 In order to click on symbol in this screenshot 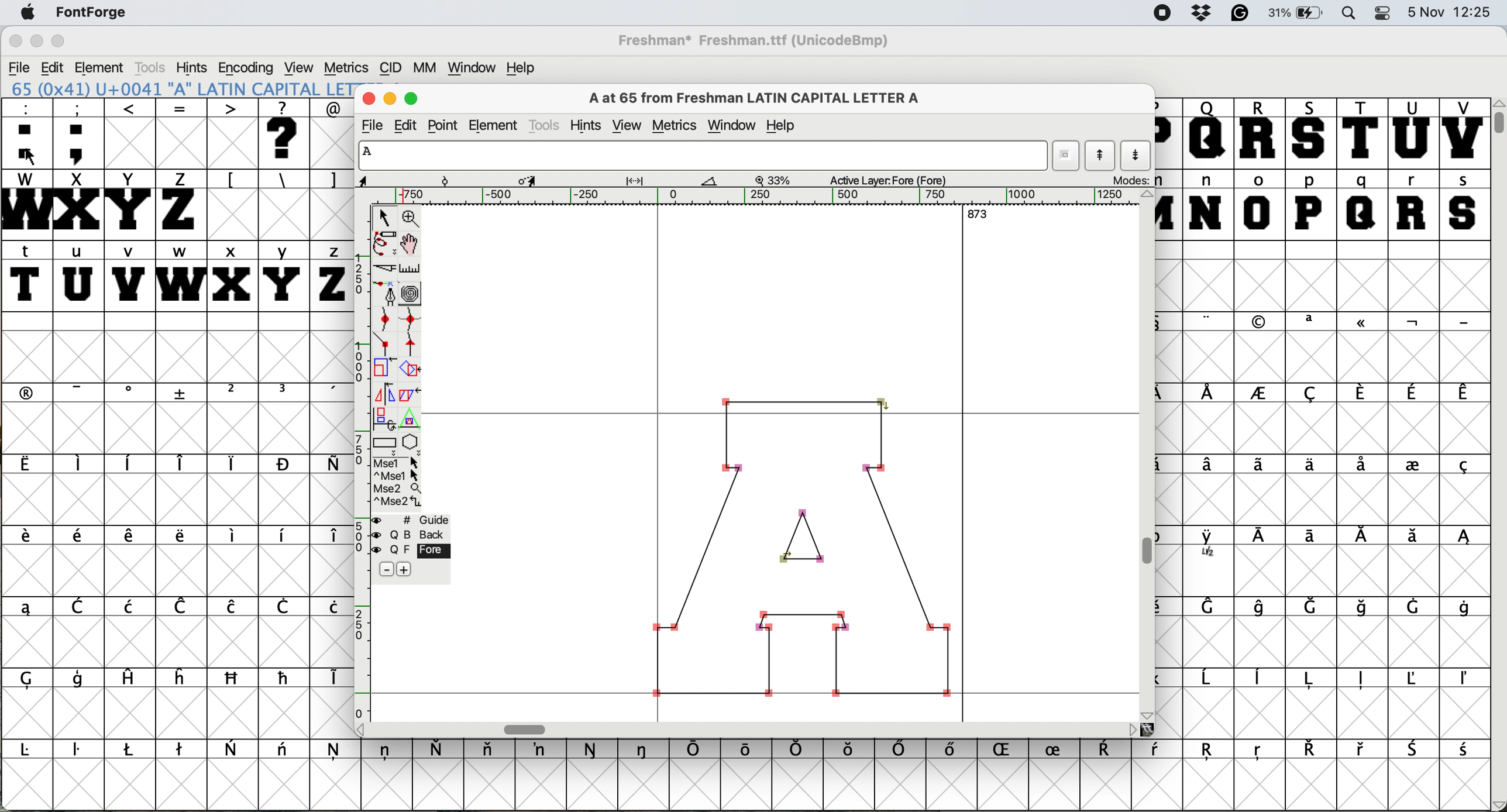, I will do `click(26, 607)`.